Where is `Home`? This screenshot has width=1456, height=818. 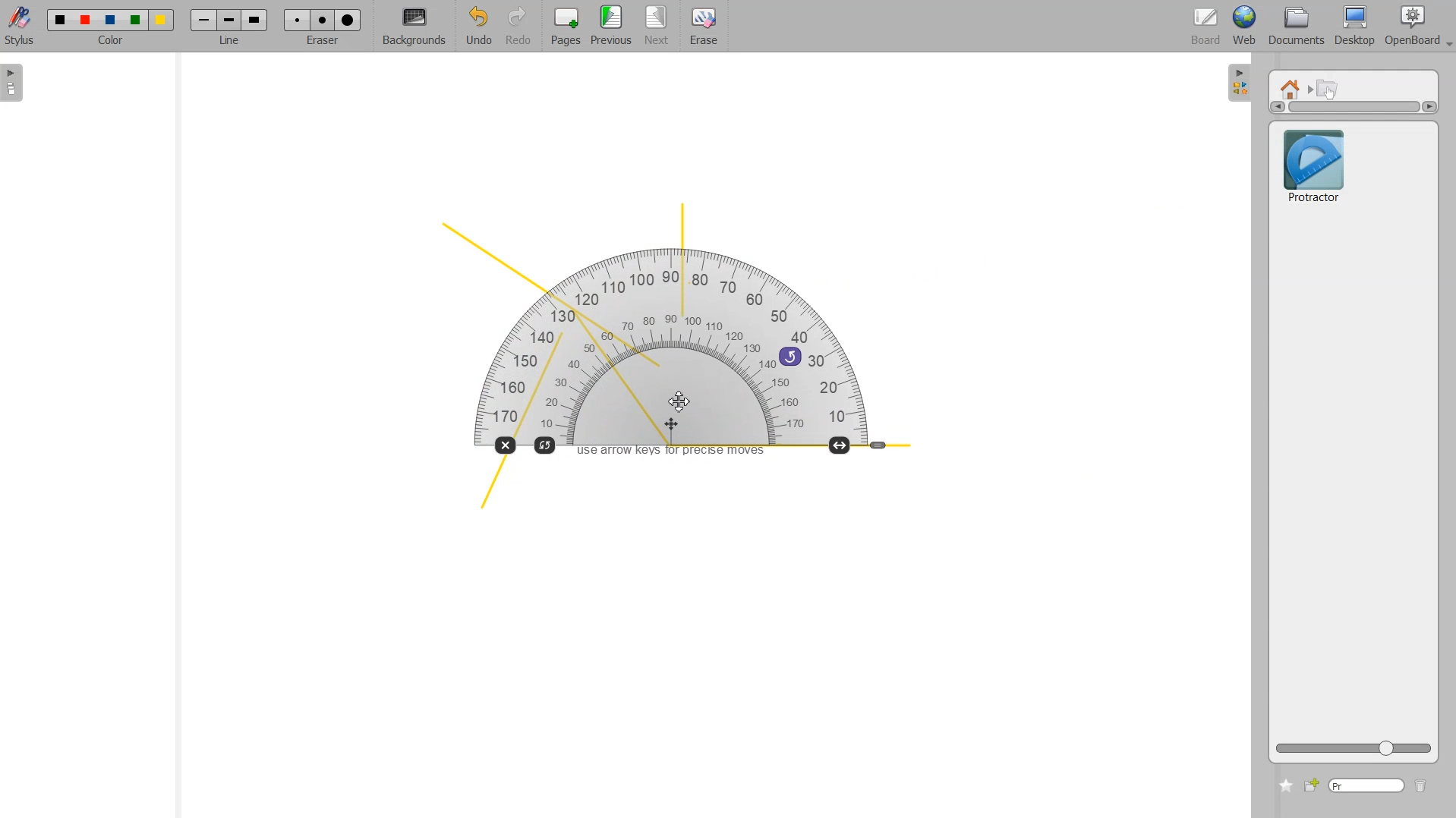 Home is located at coordinates (1293, 88).